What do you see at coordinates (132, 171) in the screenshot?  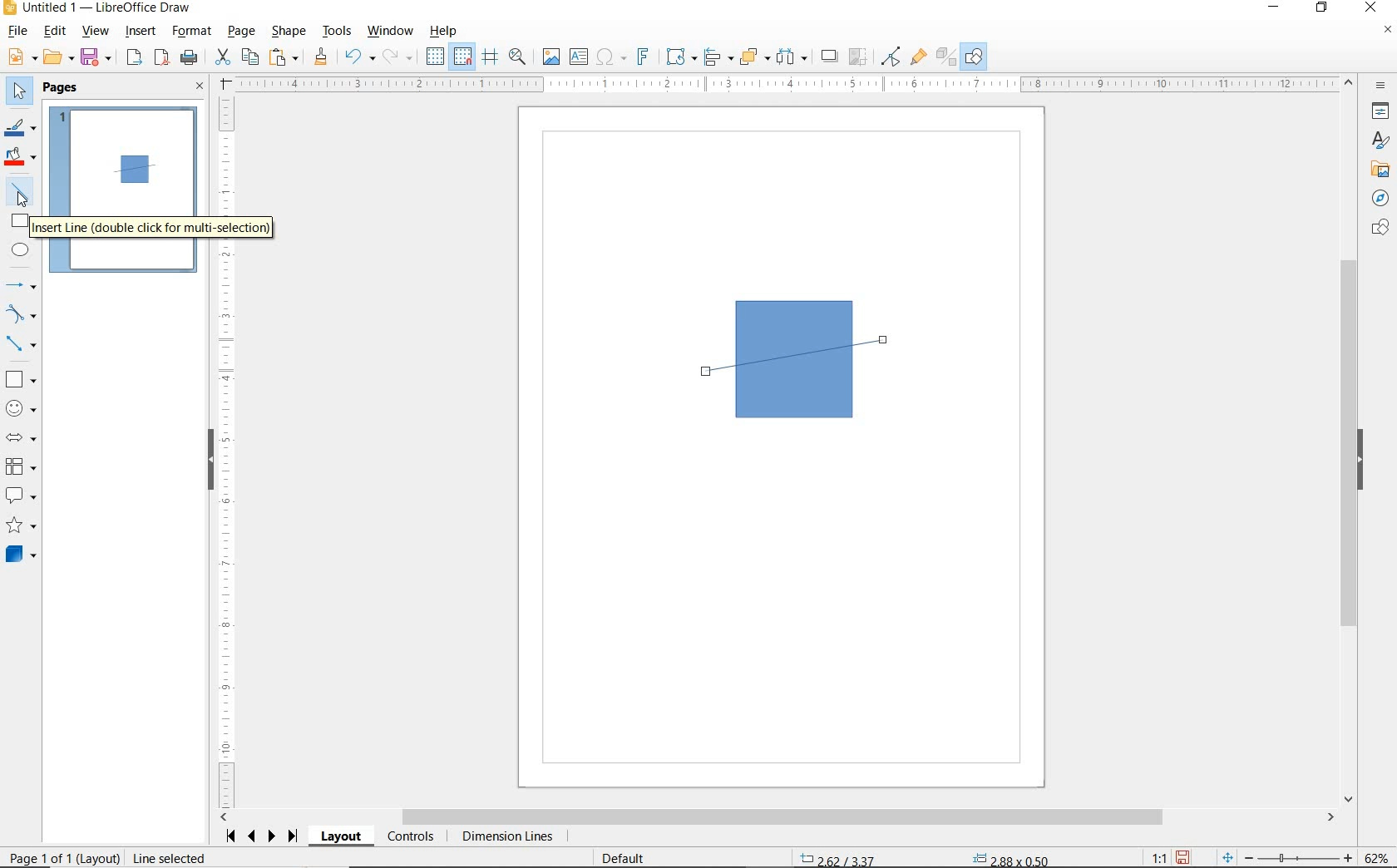 I see `SQUARE ADDED` at bounding box center [132, 171].